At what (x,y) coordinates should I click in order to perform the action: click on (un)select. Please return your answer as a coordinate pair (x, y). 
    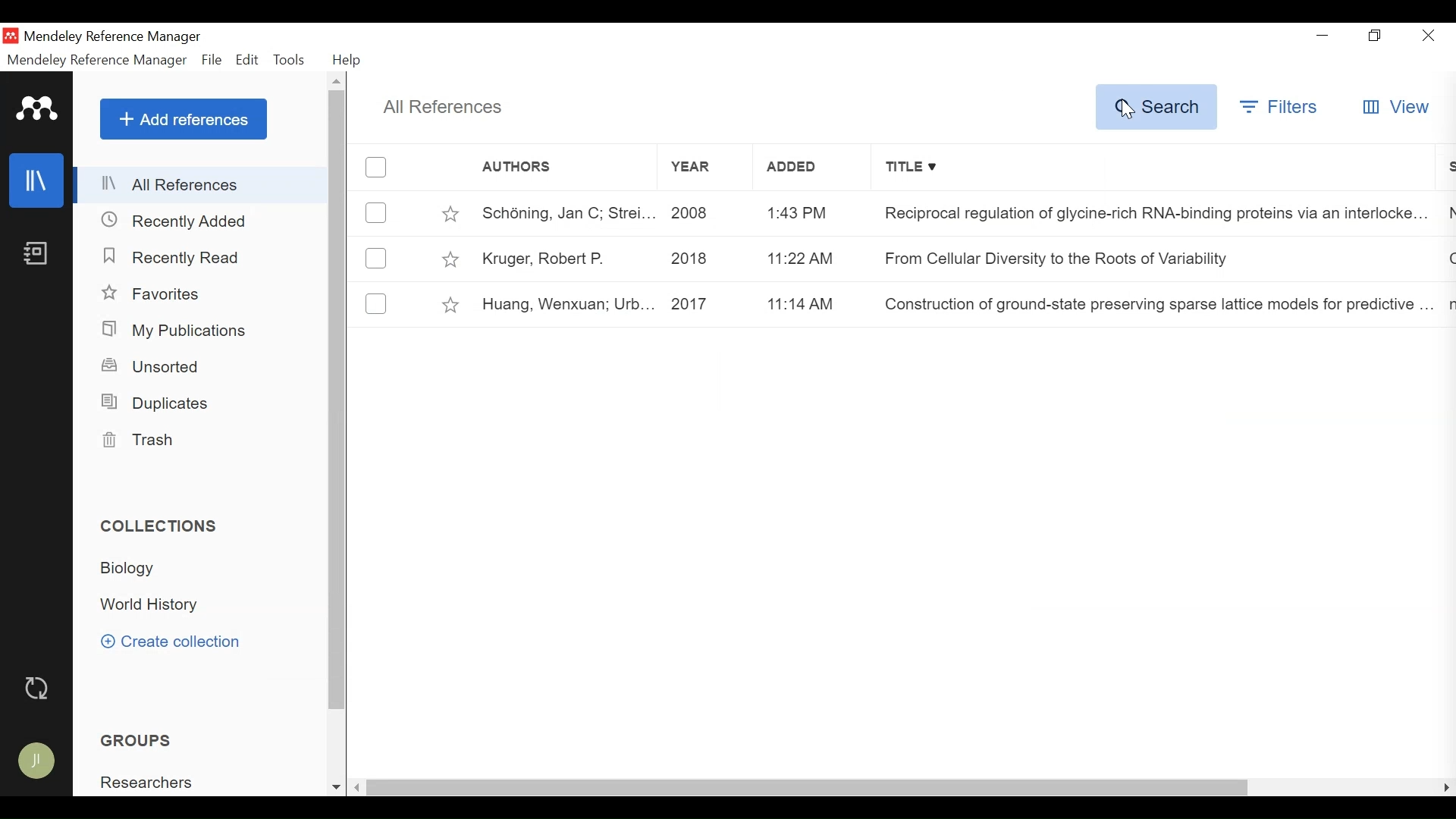
    Looking at the image, I should click on (376, 259).